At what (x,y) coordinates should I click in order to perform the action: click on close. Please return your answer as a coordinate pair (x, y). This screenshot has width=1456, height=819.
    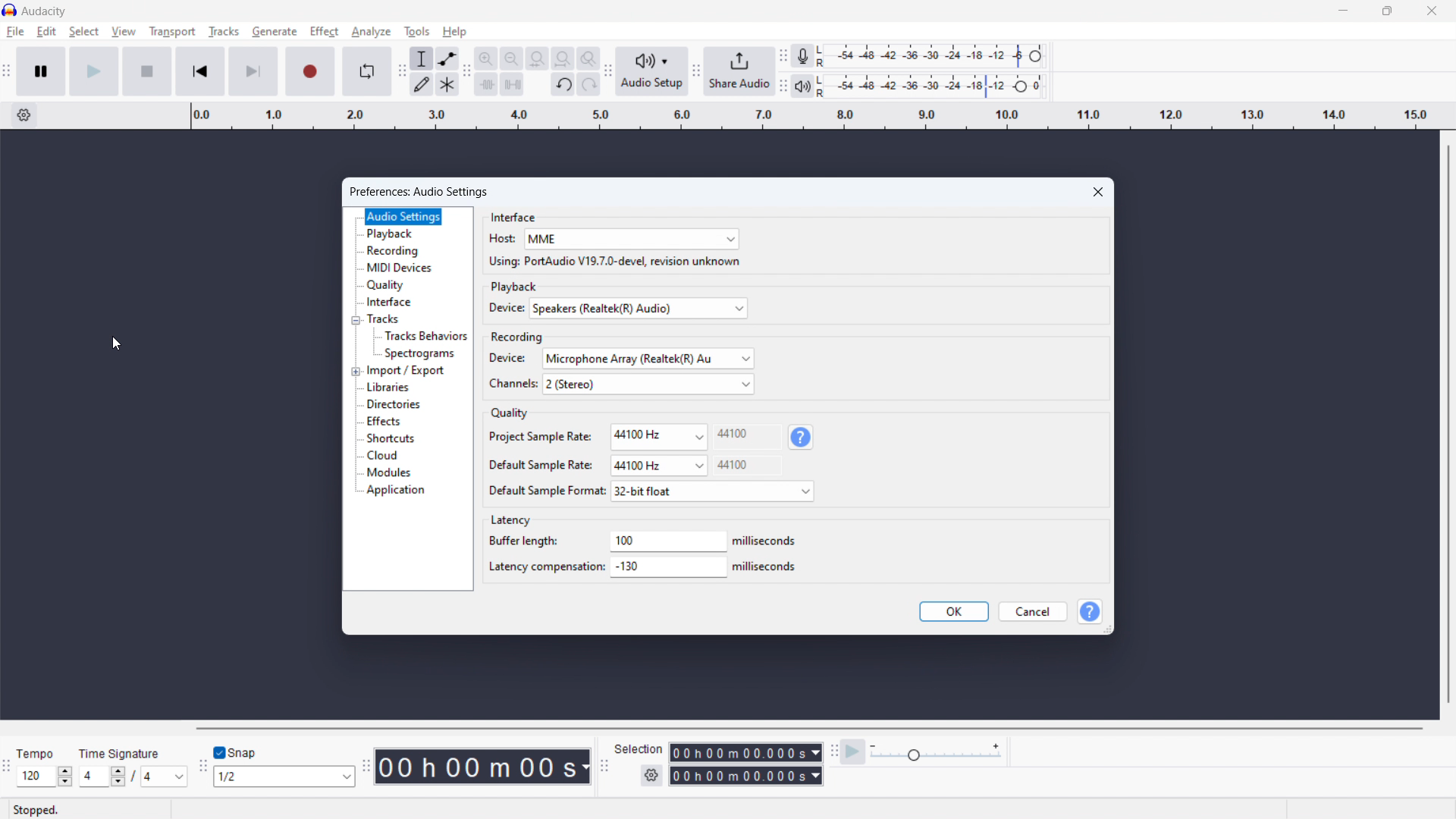
    Looking at the image, I should click on (1100, 192).